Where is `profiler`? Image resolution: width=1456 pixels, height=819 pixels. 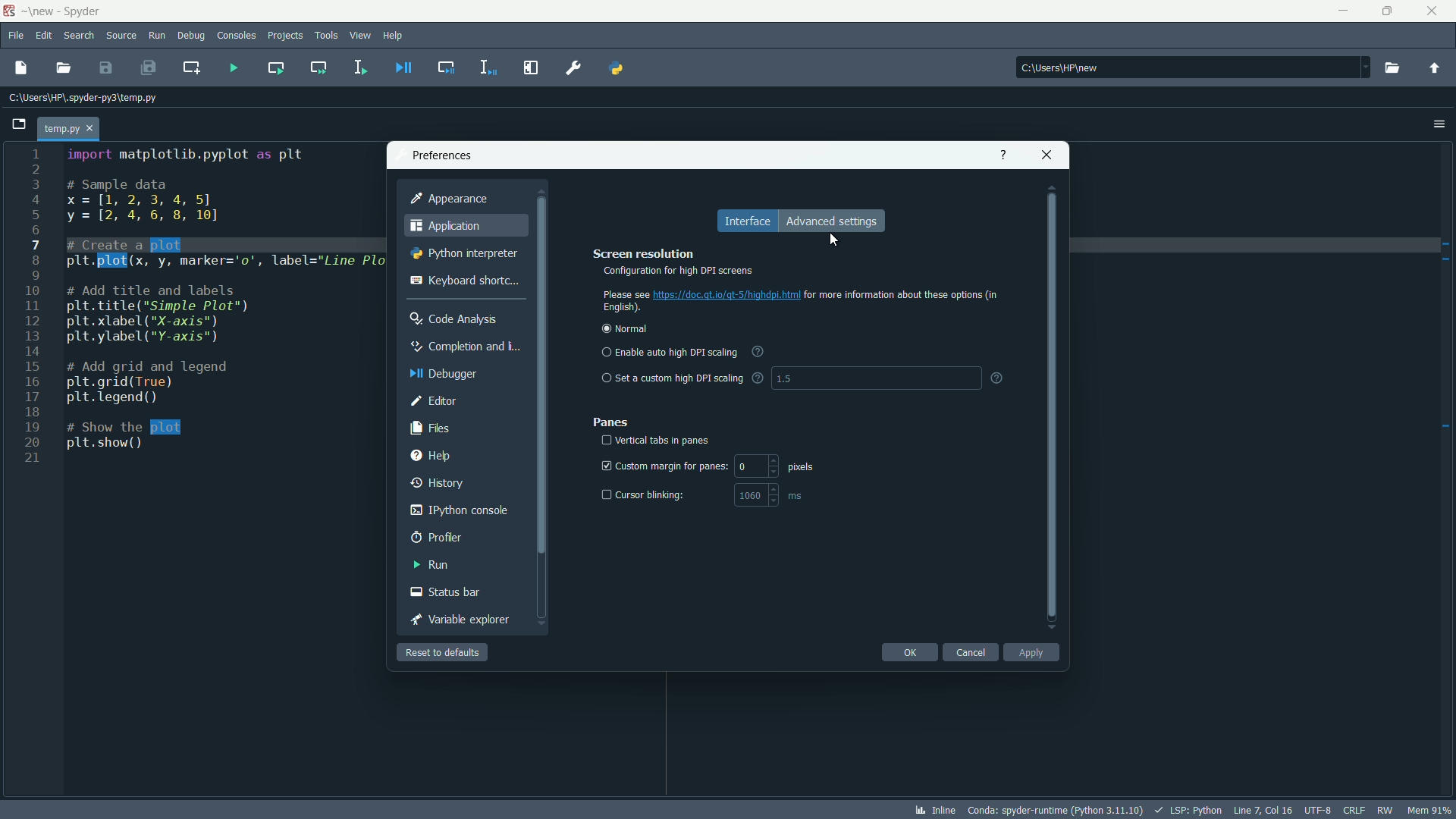
profiler is located at coordinates (438, 536).